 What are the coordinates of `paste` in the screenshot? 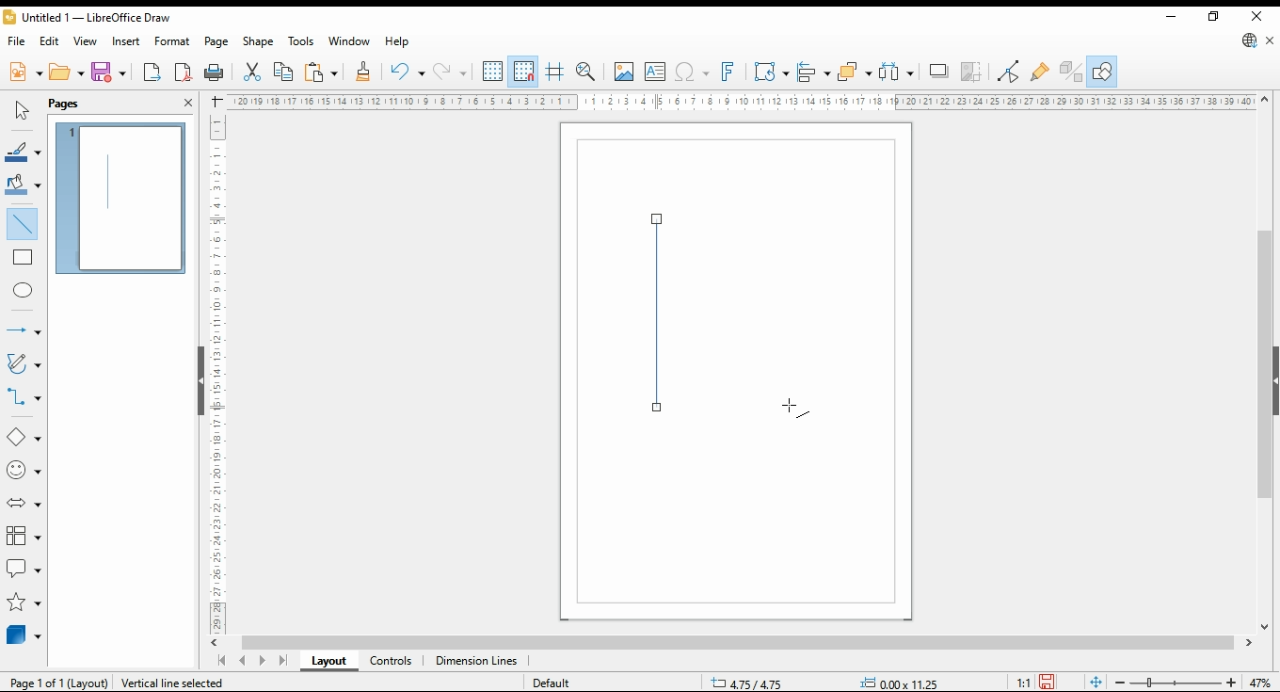 It's located at (321, 72).